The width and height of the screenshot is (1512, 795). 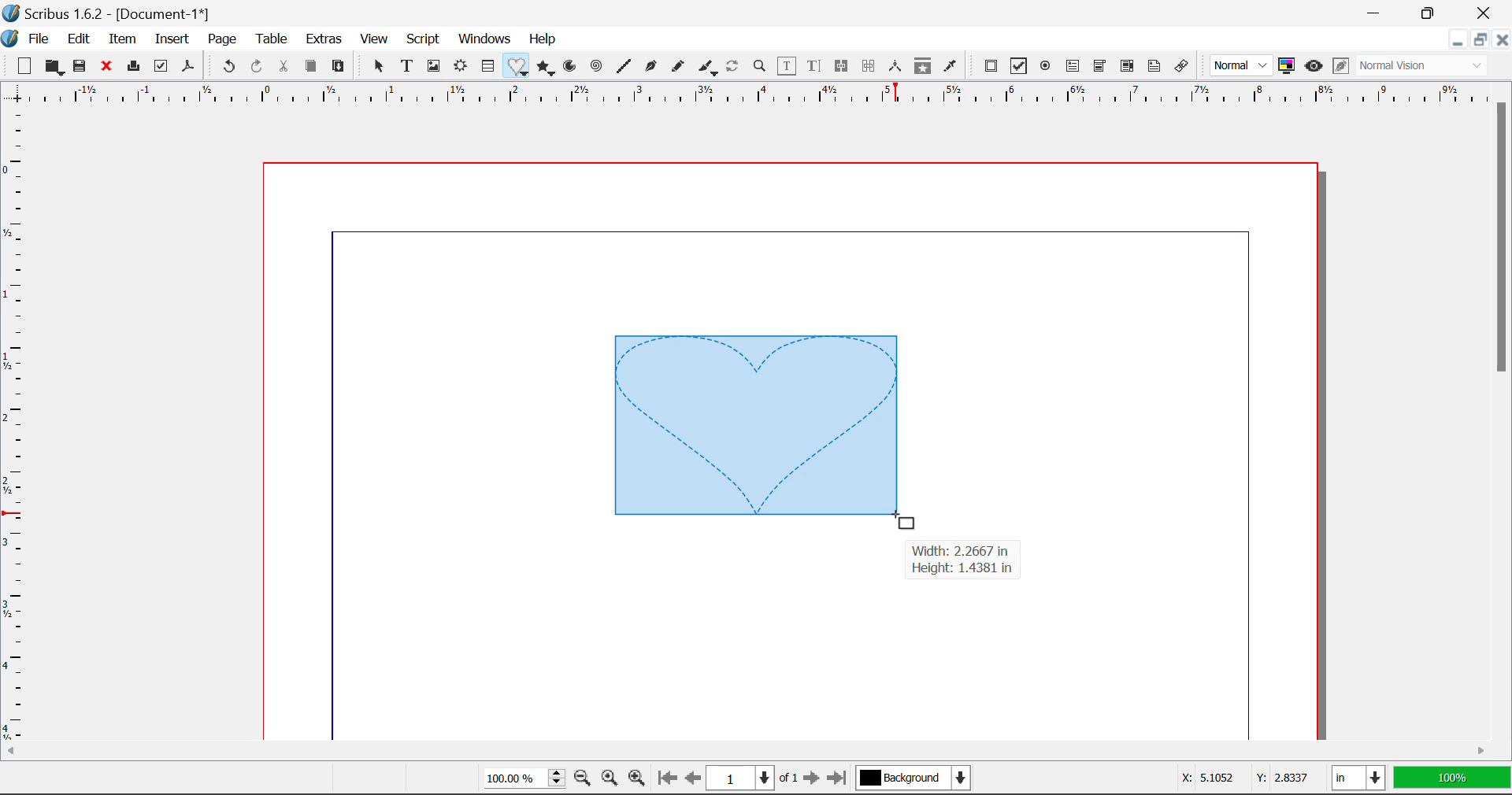 What do you see at coordinates (226, 67) in the screenshot?
I see `Undo` at bounding box center [226, 67].